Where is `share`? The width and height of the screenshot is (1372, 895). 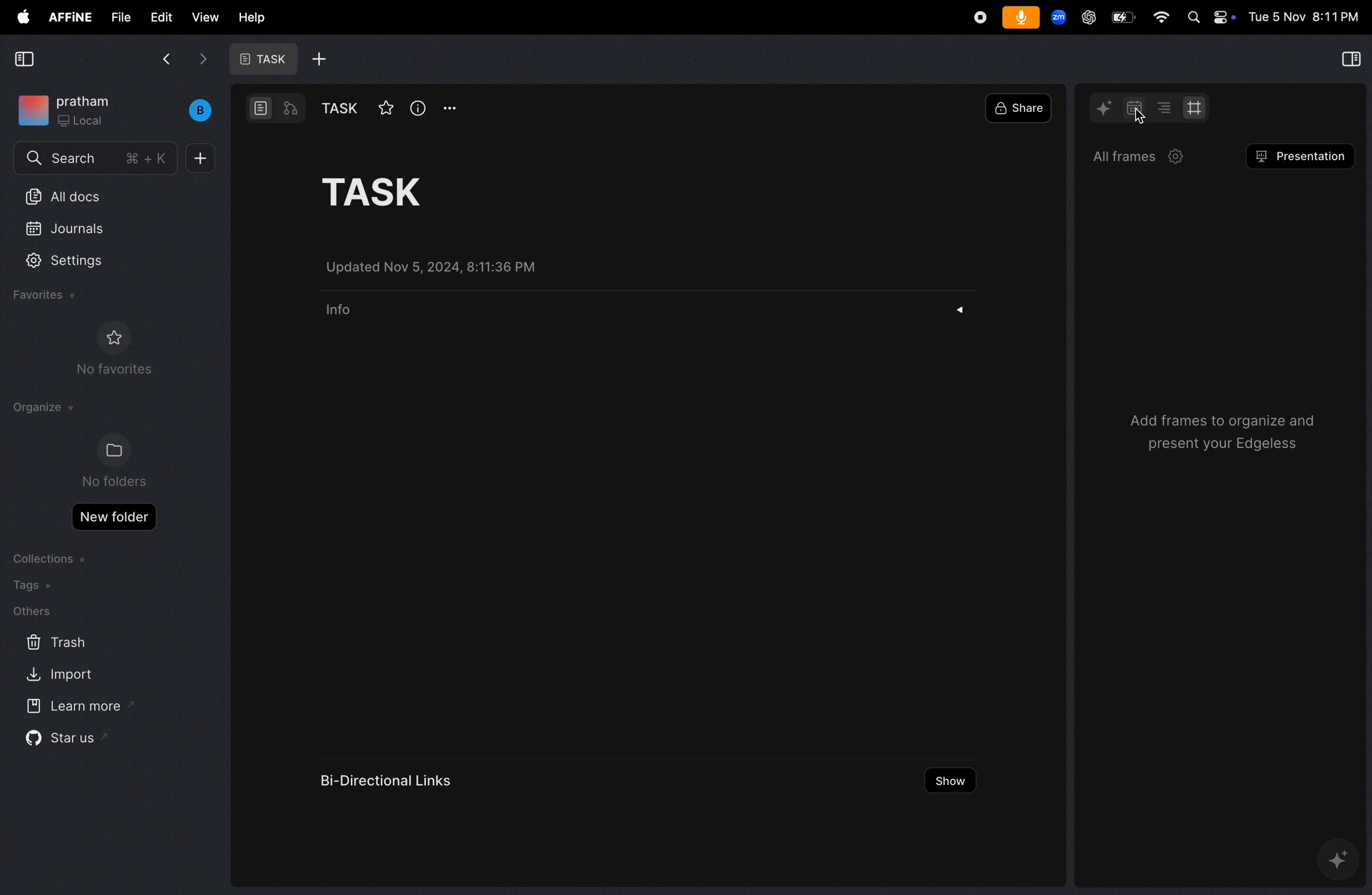 share is located at coordinates (1021, 108).